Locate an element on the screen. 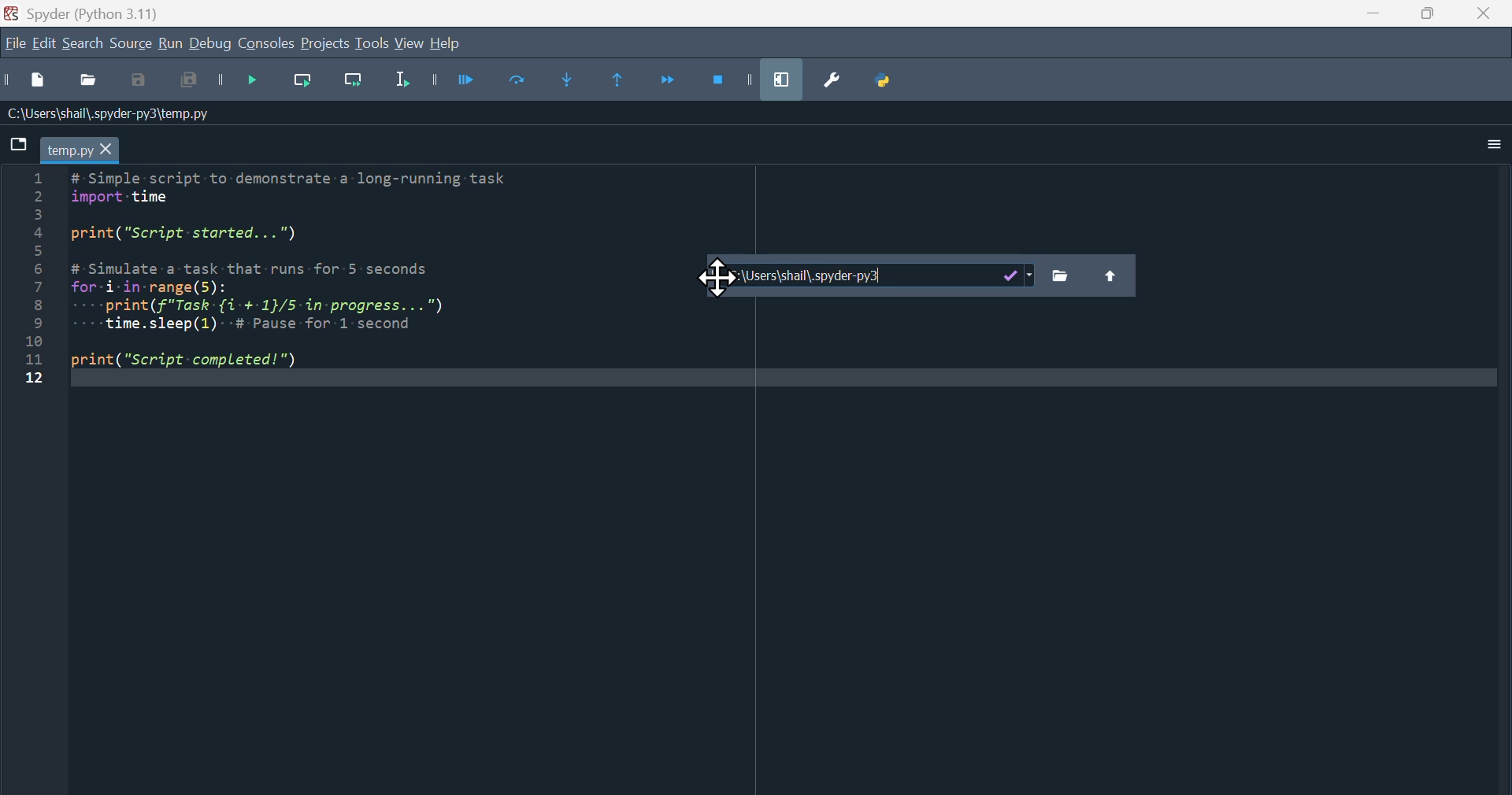 The height and width of the screenshot is (795, 1512). Run current line is located at coordinates (309, 84).